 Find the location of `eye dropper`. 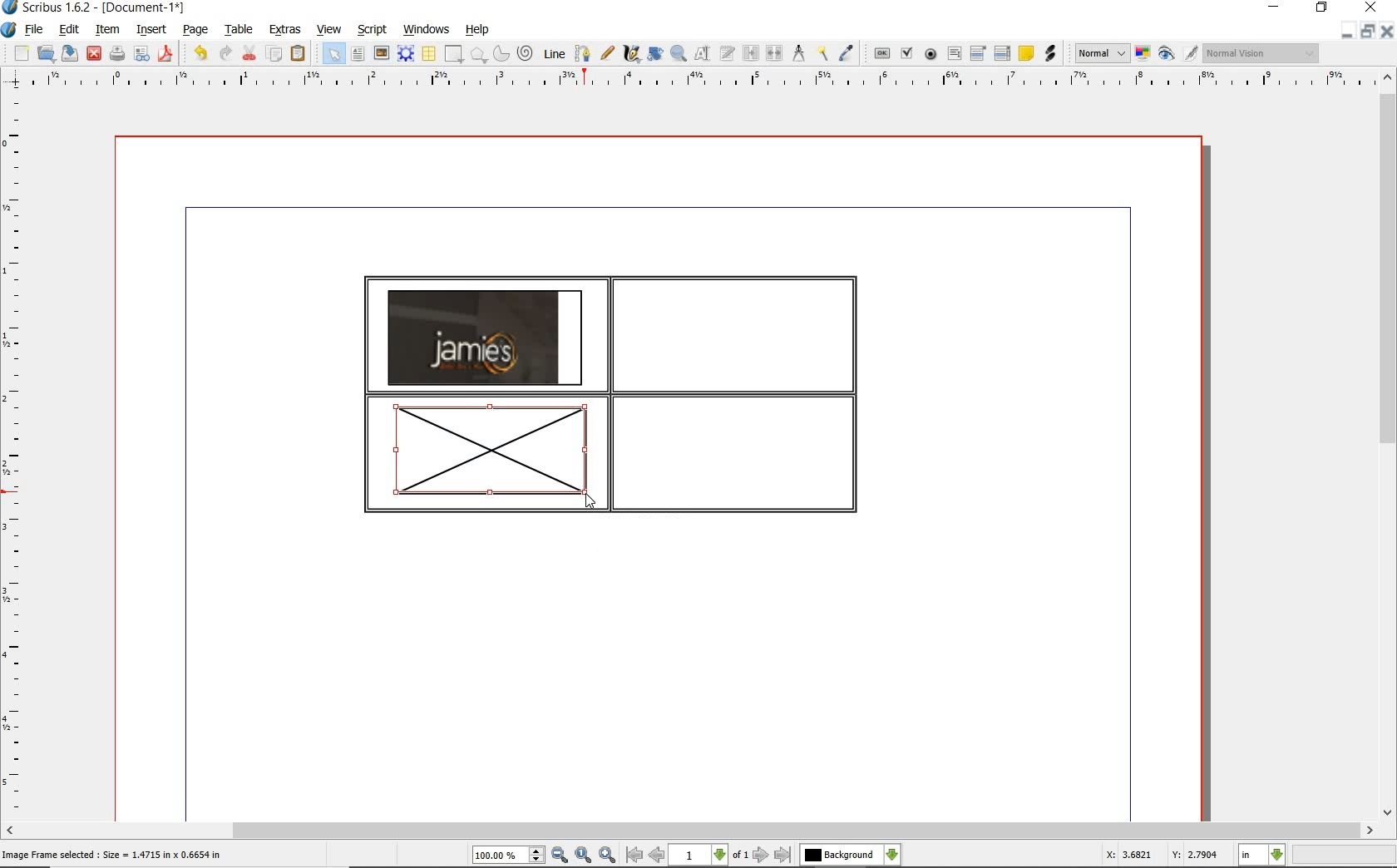

eye dropper is located at coordinates (847, 53).